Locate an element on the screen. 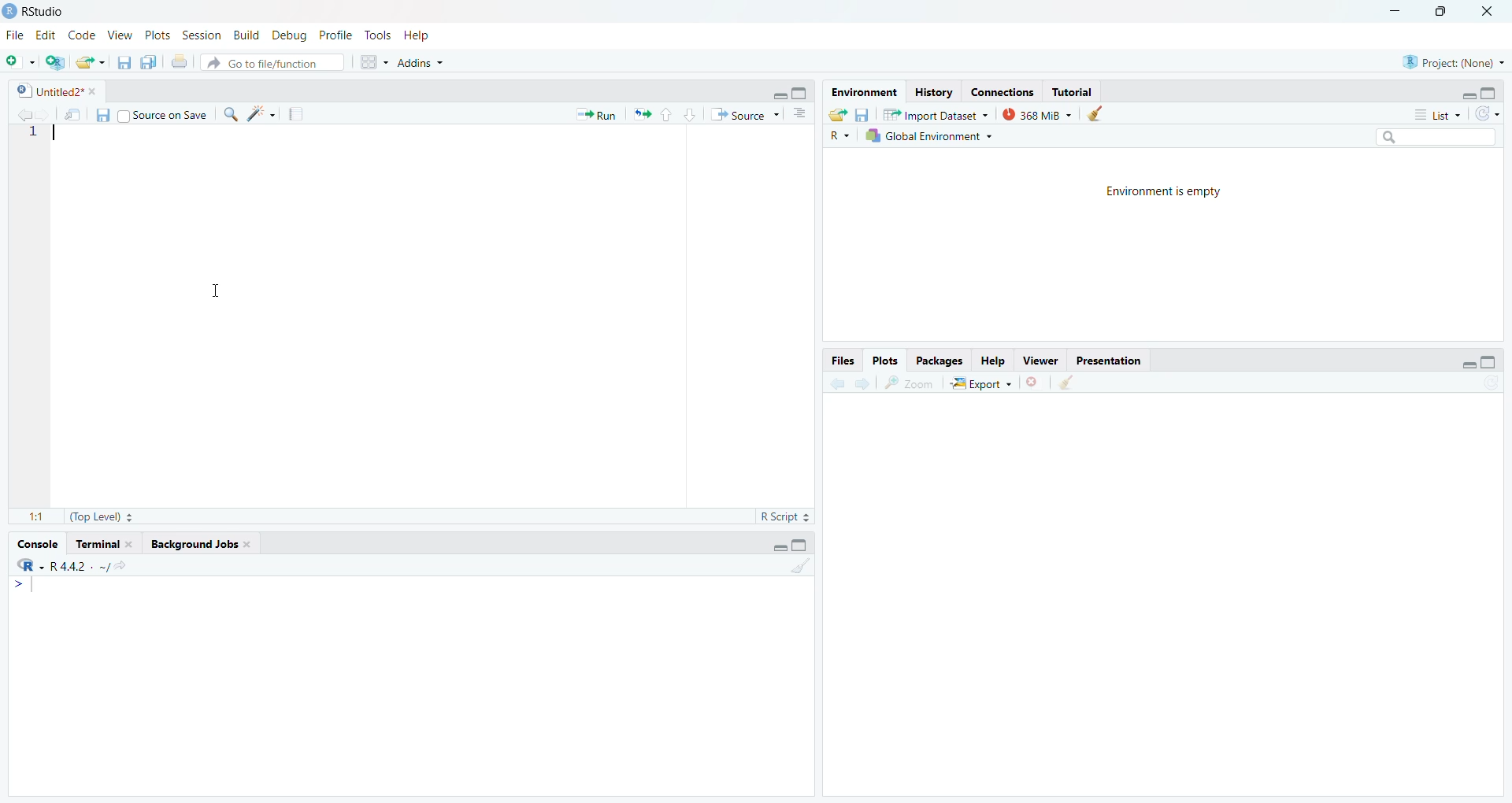 The image size is (1512, 803). Packages is located at coordinates (932, 359).